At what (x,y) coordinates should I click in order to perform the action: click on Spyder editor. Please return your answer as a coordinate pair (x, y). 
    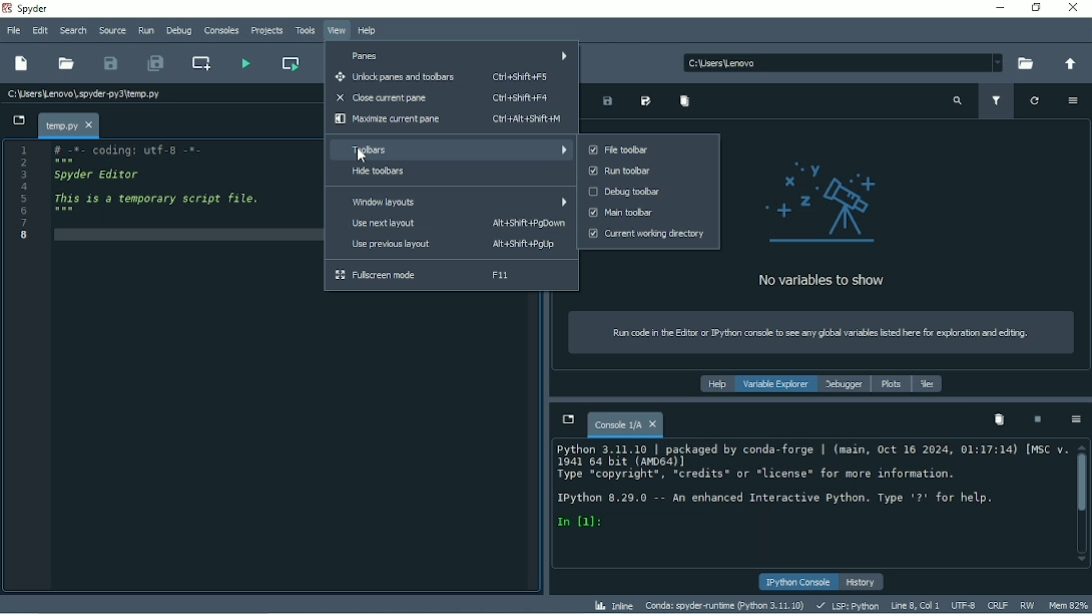
    Looking at the image, I should click on (100, 175).